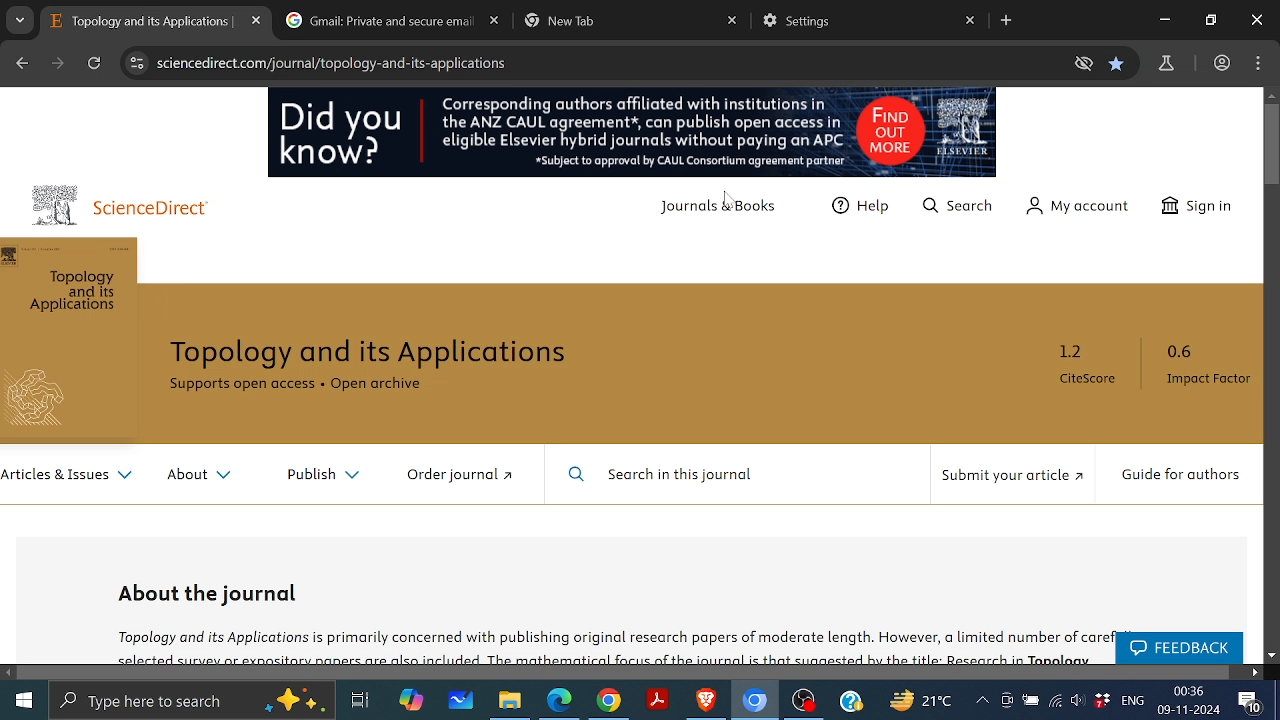 This screenshot has height=720, width=1280. What do you see at coordinates (956, 206) in the screenshot?
I see `search` at bounding box center [956, 206].